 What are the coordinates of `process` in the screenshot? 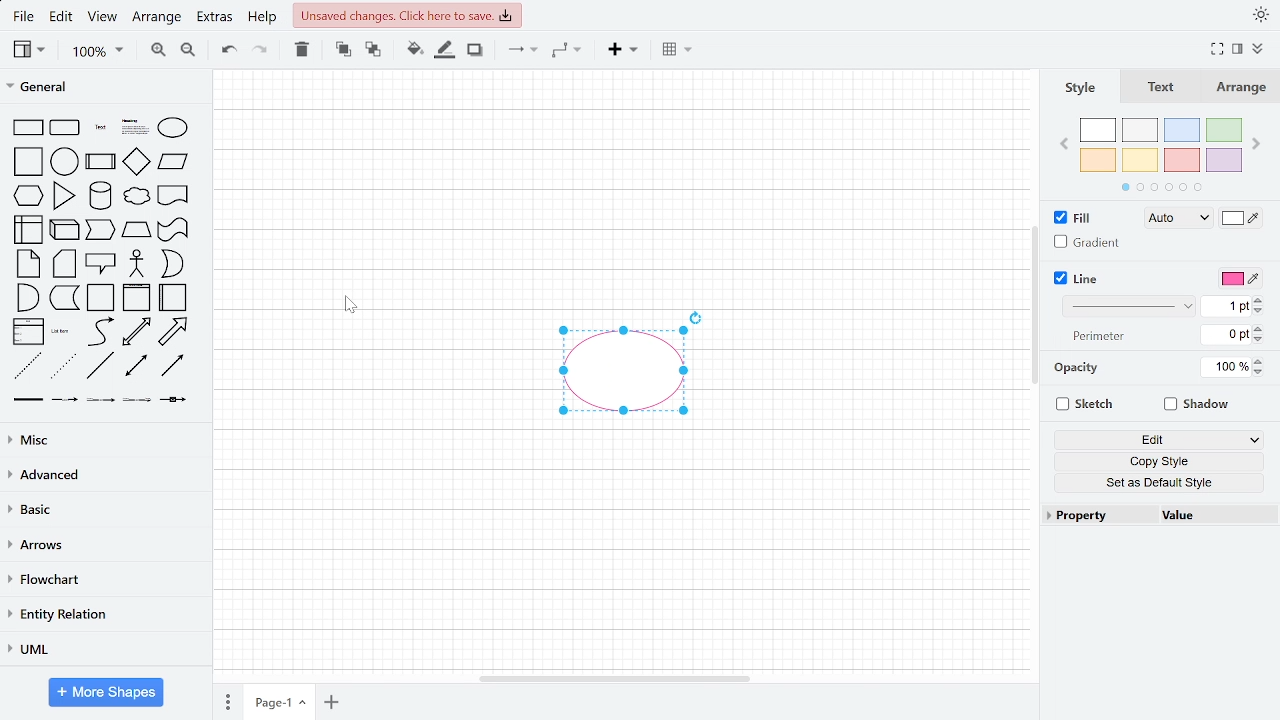 It's located at (100, 161).